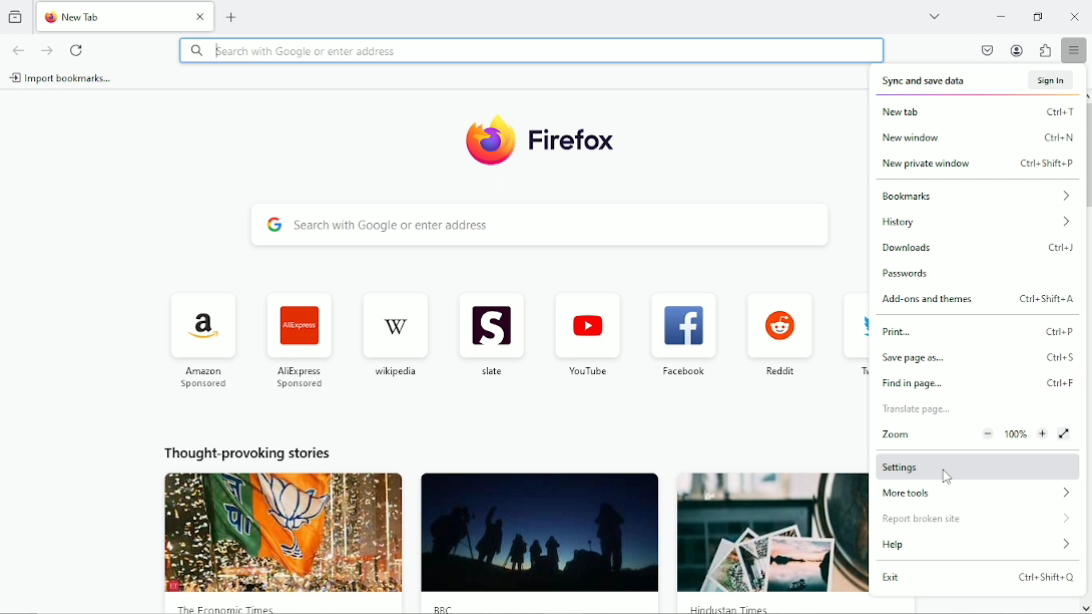 Image resolution: width=1092 pixels, height=614 pixels. Describe the element at coordinates (978, 577) in the screenshot. I see `exit` at that location.